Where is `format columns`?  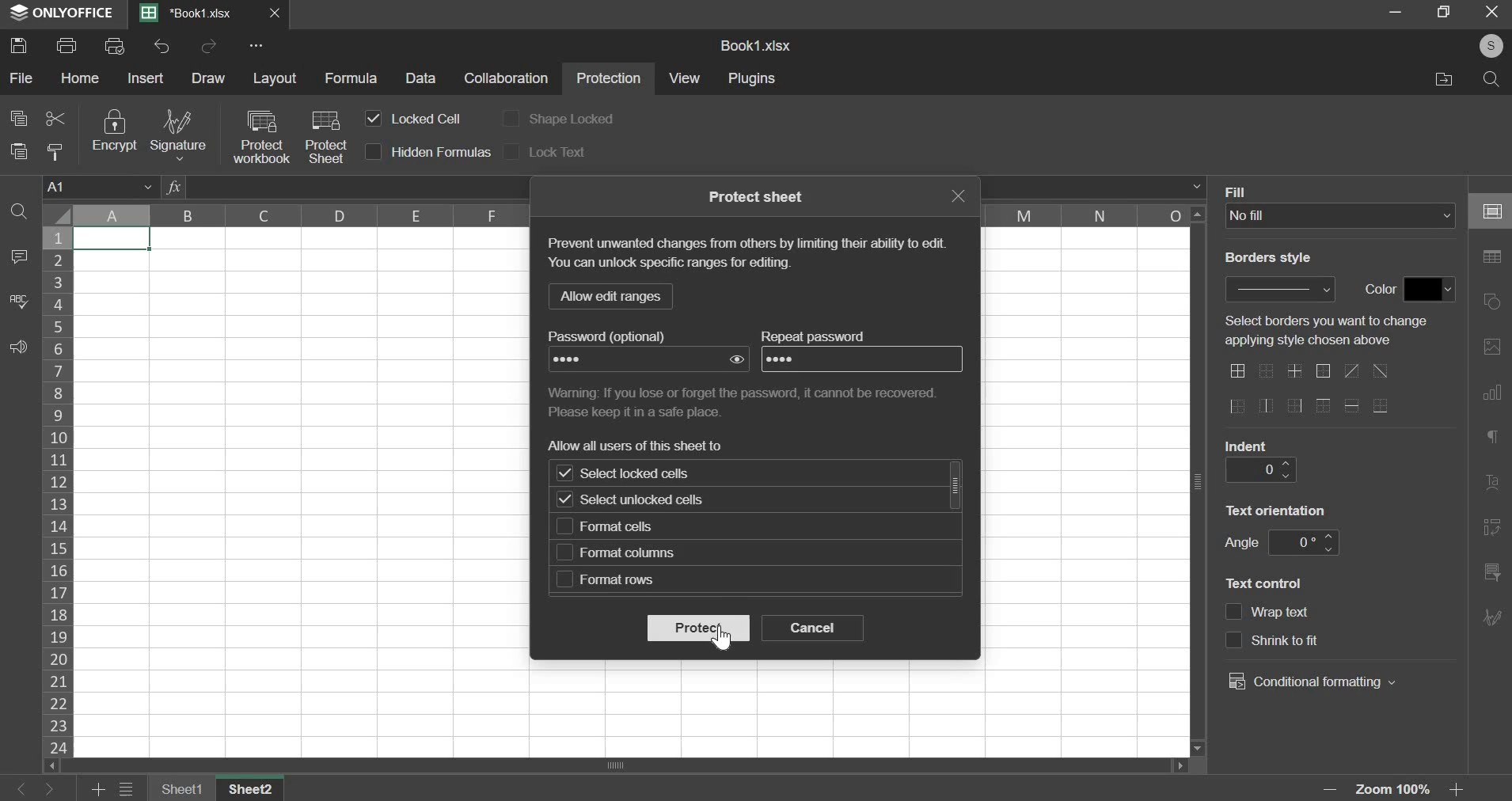
format columns is located at coordinates (629, 552).